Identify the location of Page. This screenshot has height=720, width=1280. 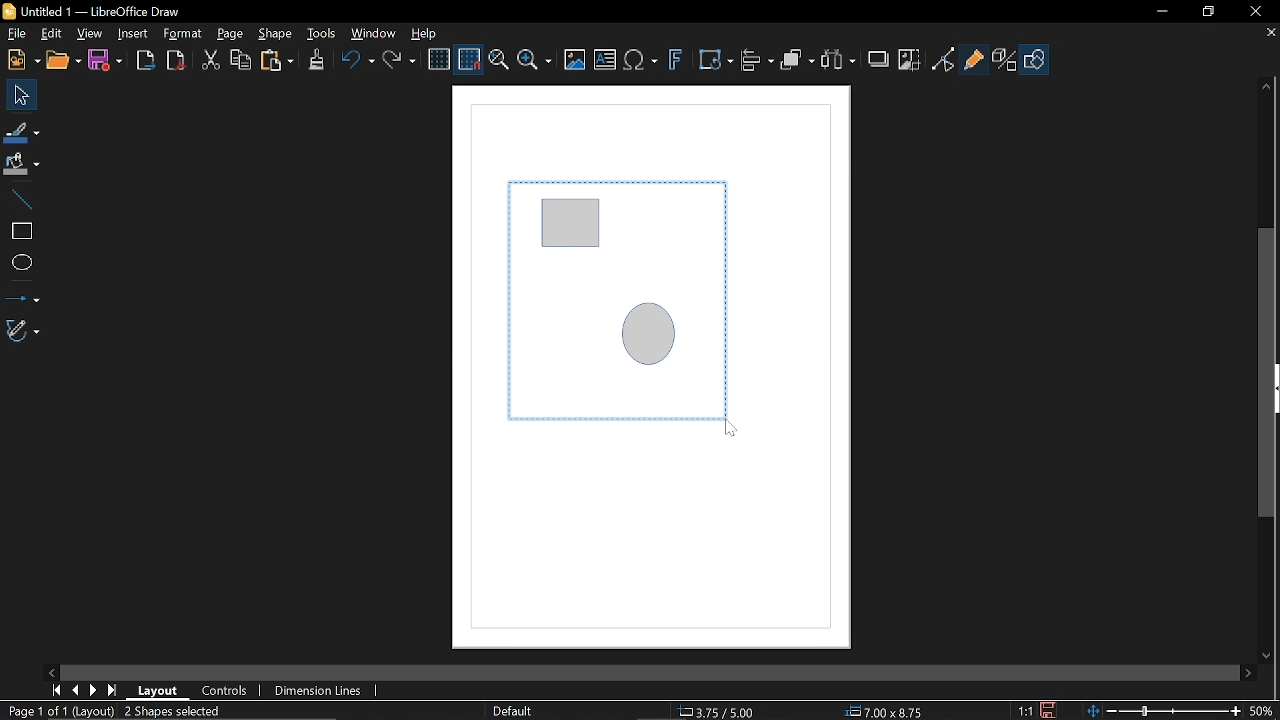
(230, 35).